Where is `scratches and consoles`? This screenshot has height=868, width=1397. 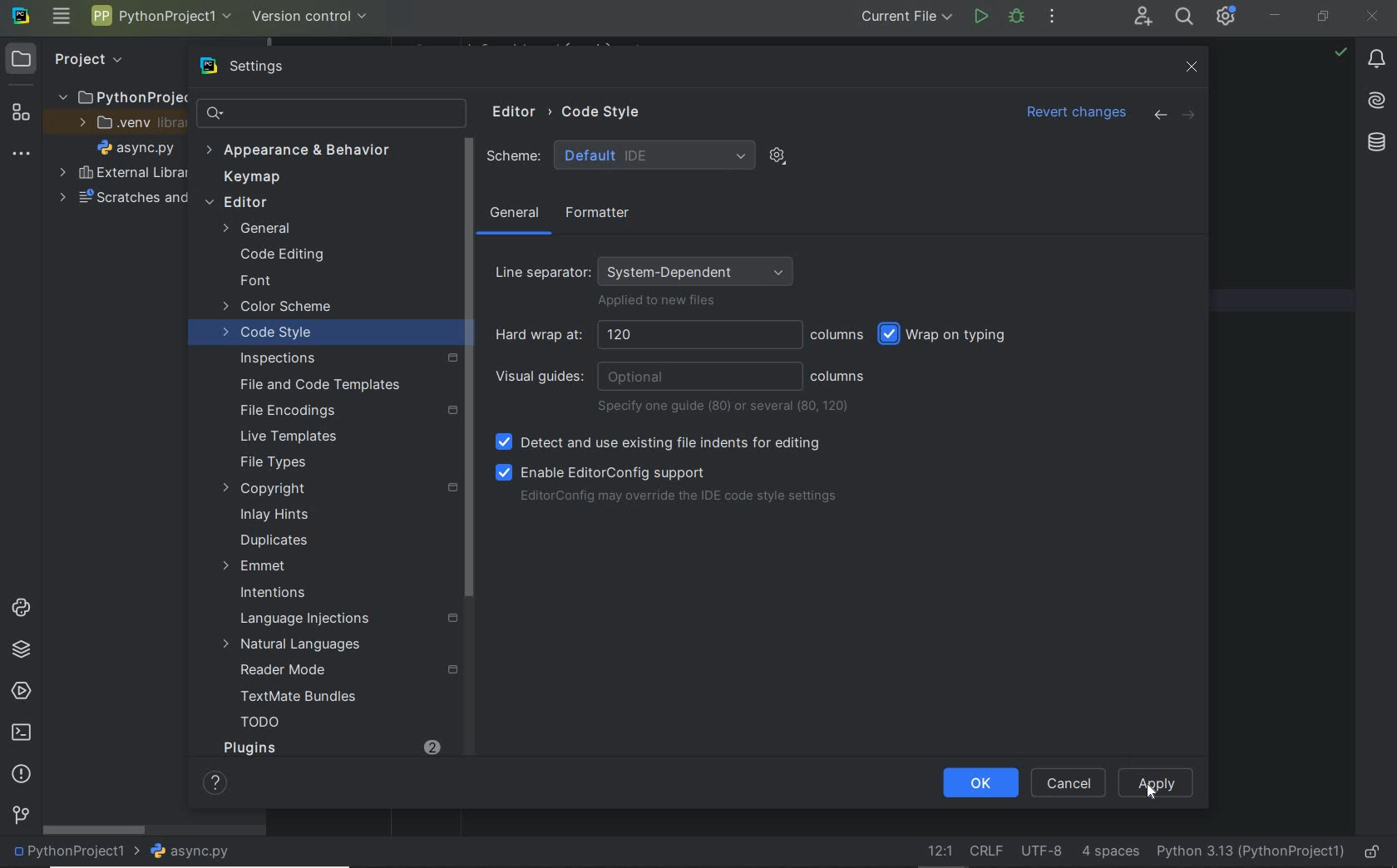 scratches and consoles is located at coordinates (115, 200).